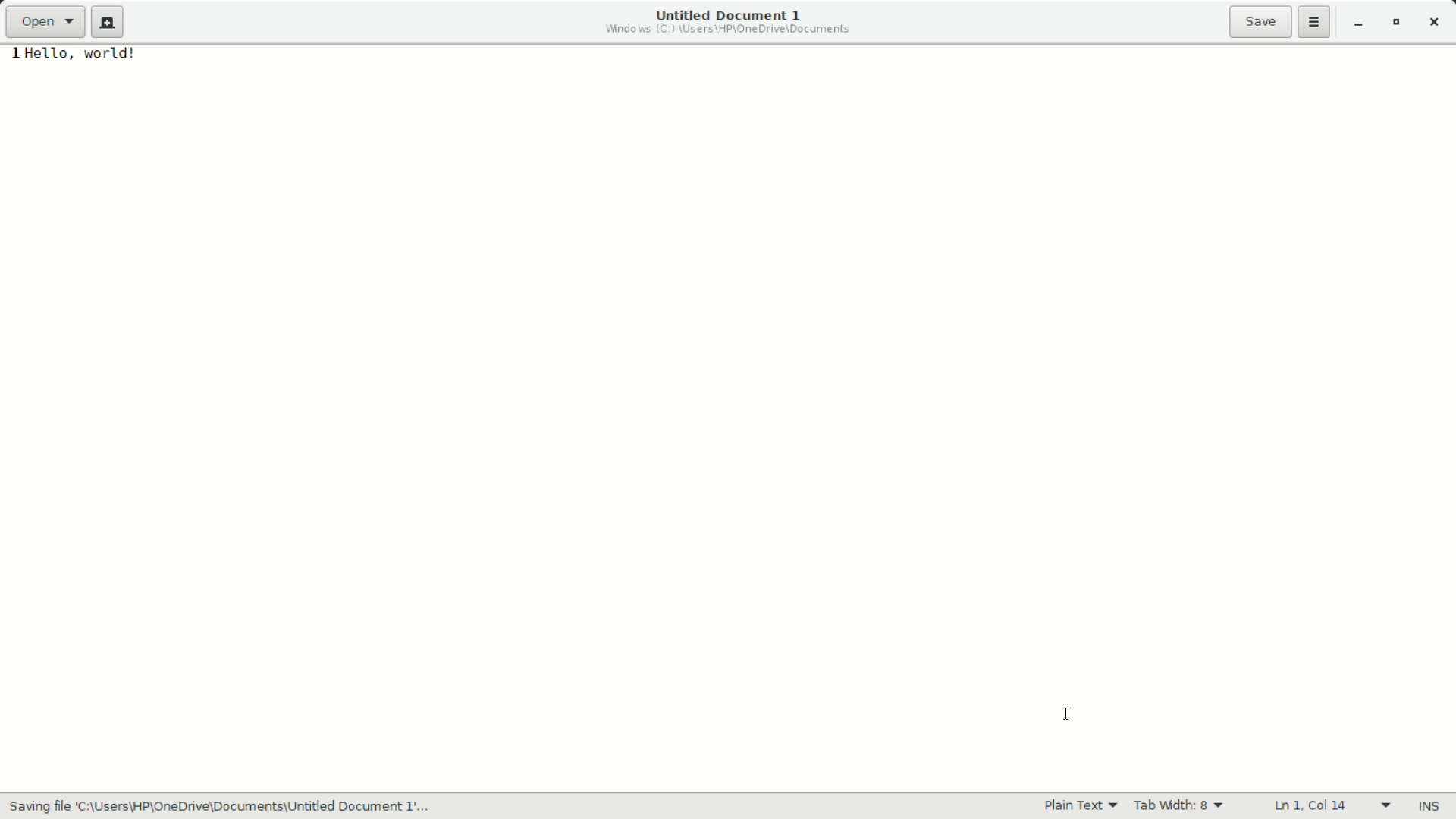 The width and height of the screenshot is (1456, 819). I want to click on close app, so click(1439, 23).